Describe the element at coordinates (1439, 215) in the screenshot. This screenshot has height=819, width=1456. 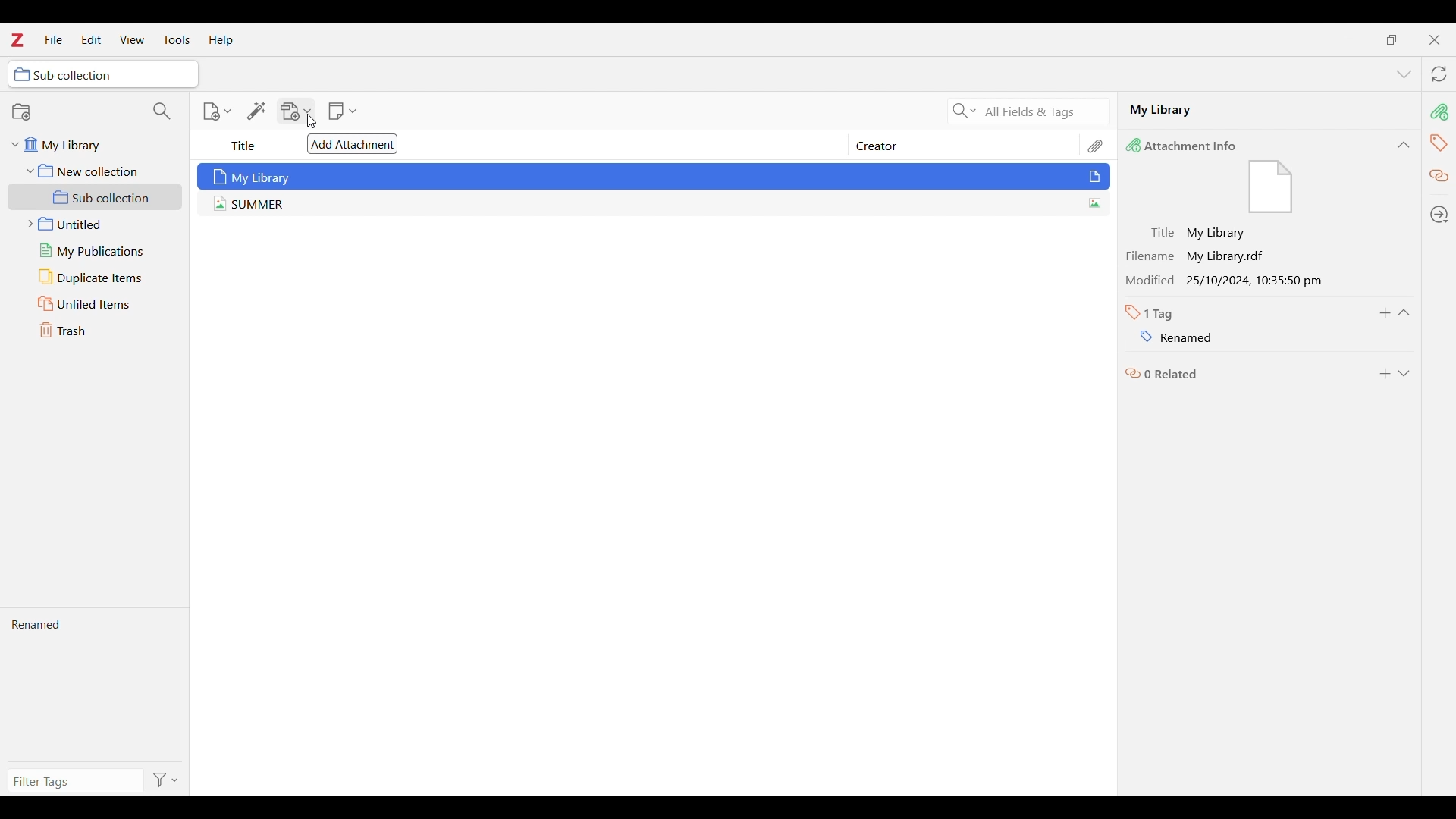
I see `Locate` at that location.